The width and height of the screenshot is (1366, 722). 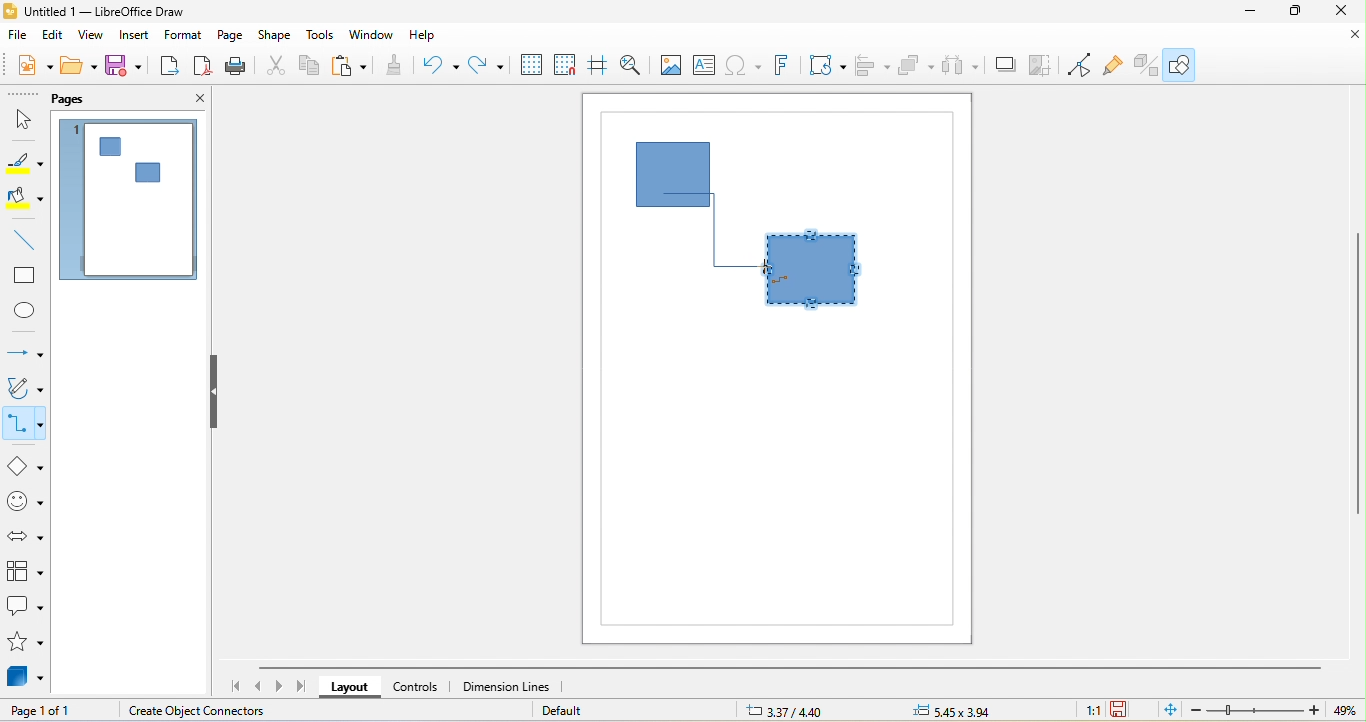 I want to click on show draw function, so click(x=1187, y=64).